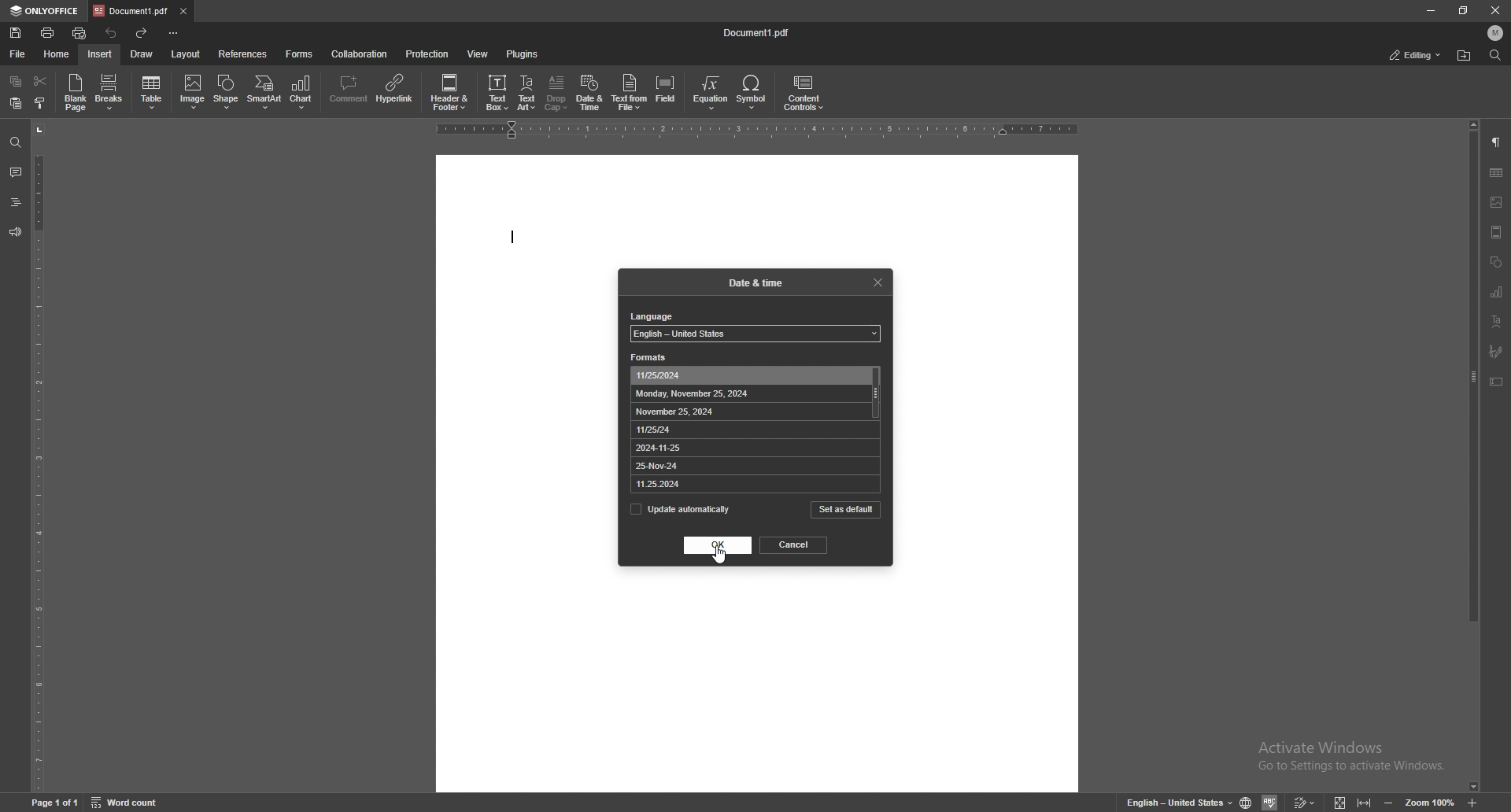 The height and width of the screenshot is (812, 1511). I want to click on zoom out, so click(1389, 800).